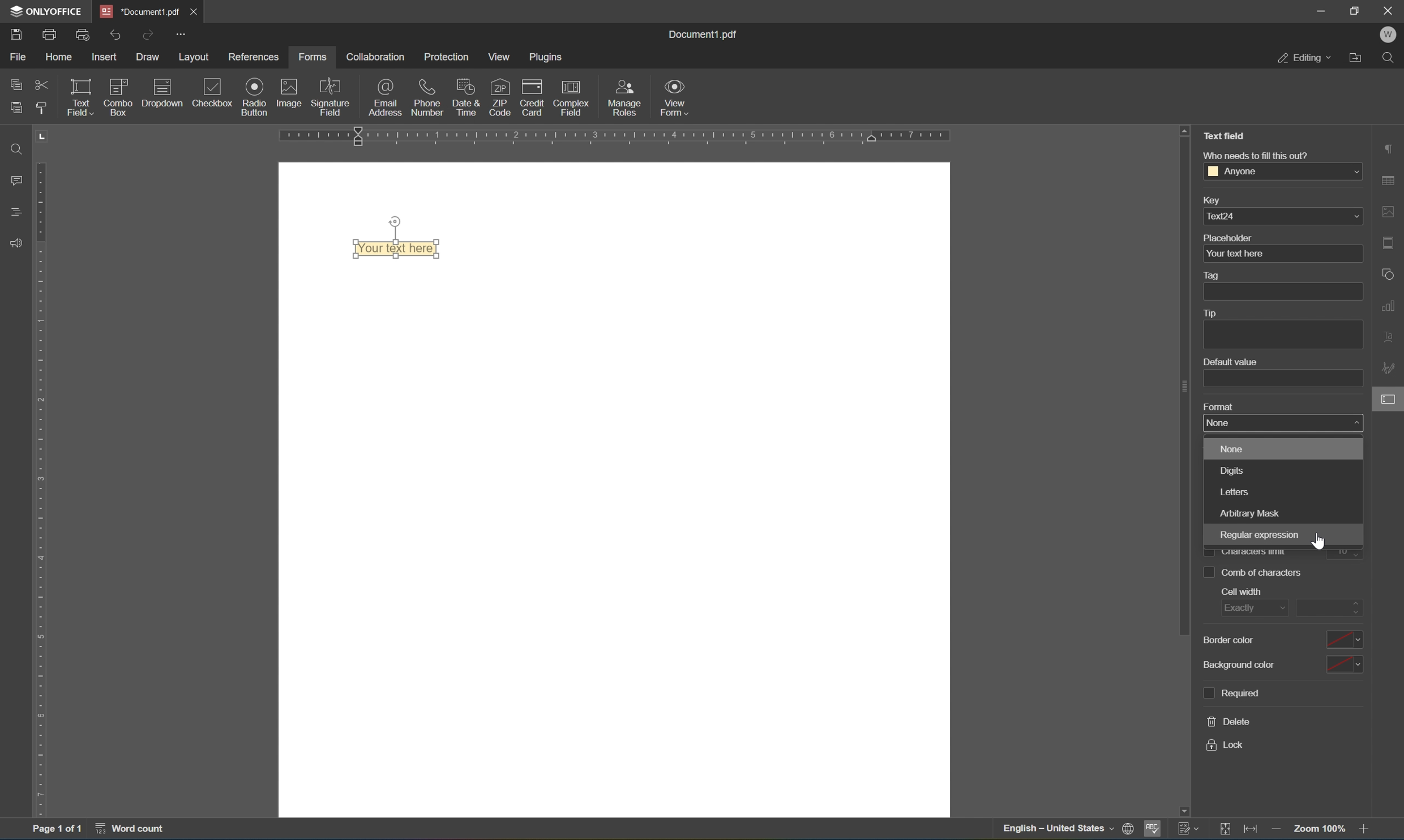 Image resolution: width=1404 pixels, height=840 pixels. Describe the element at coordinates (1322, 829) in the screenshot. I see `zoom out` at that location.